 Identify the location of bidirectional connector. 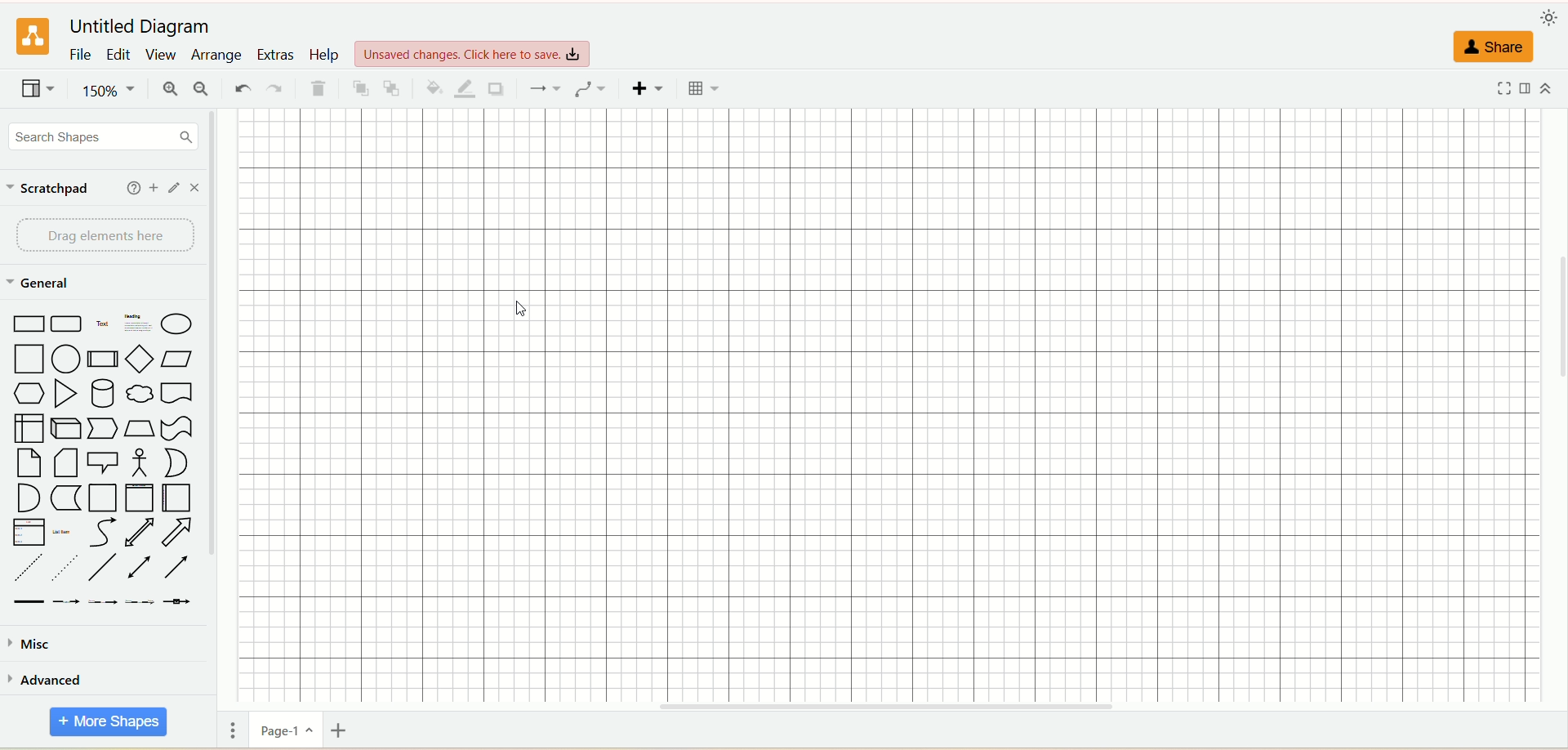
(140, 568).